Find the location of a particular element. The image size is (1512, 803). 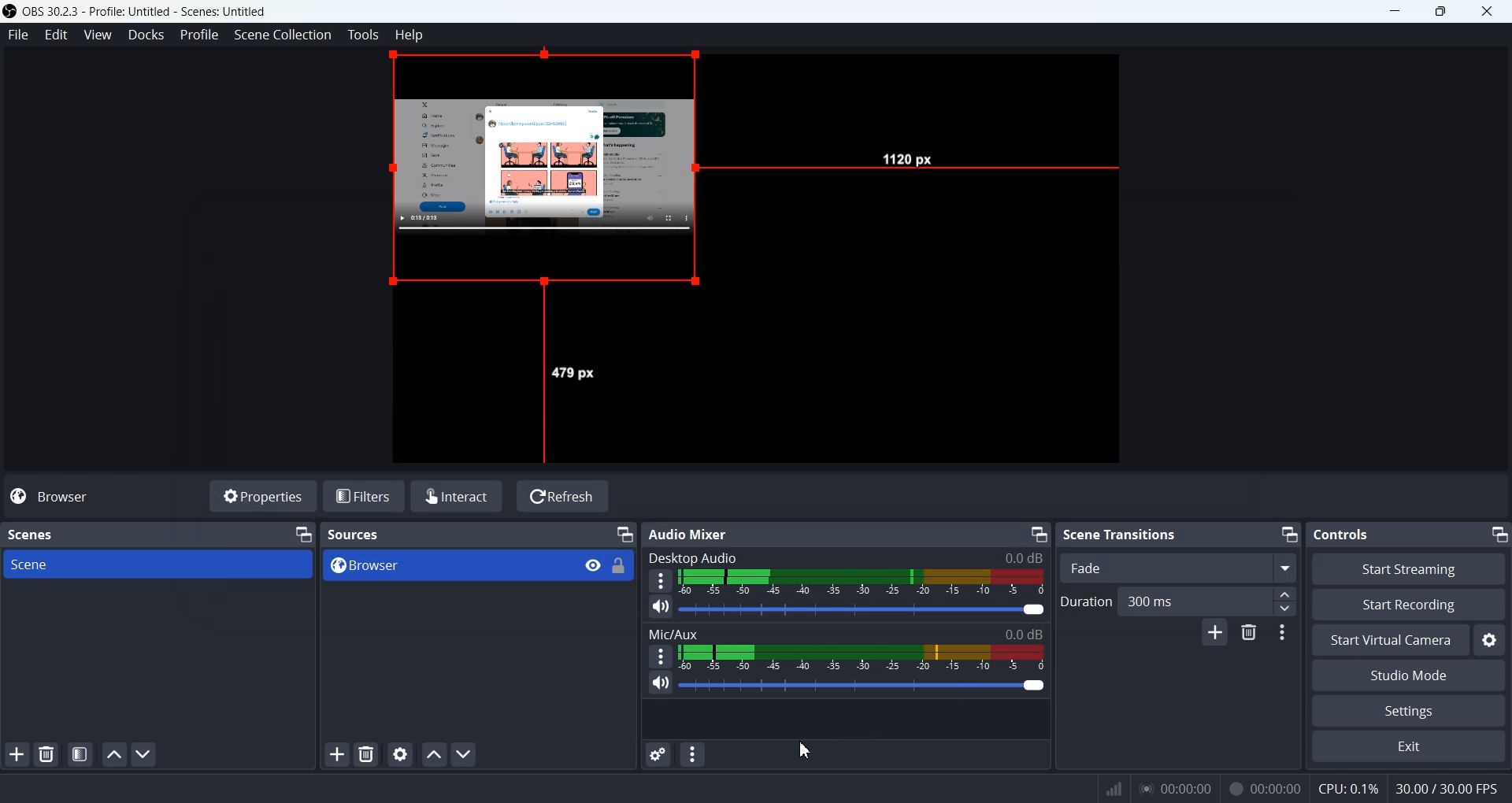

300 ms is located at coordinates (1209, 601).